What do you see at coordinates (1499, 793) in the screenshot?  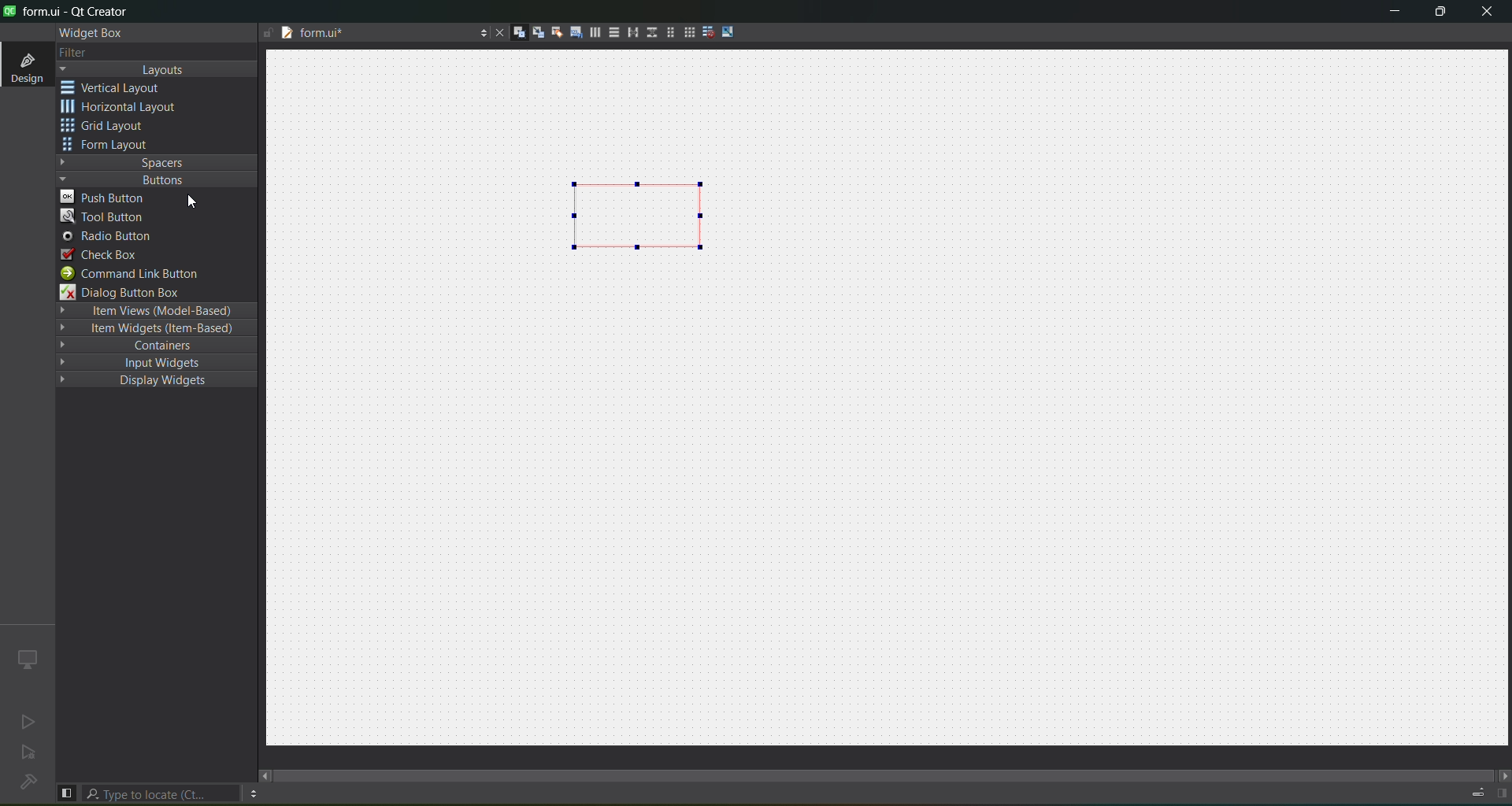 I see `Show/hide right pane` at bounding box center [1499, 793].